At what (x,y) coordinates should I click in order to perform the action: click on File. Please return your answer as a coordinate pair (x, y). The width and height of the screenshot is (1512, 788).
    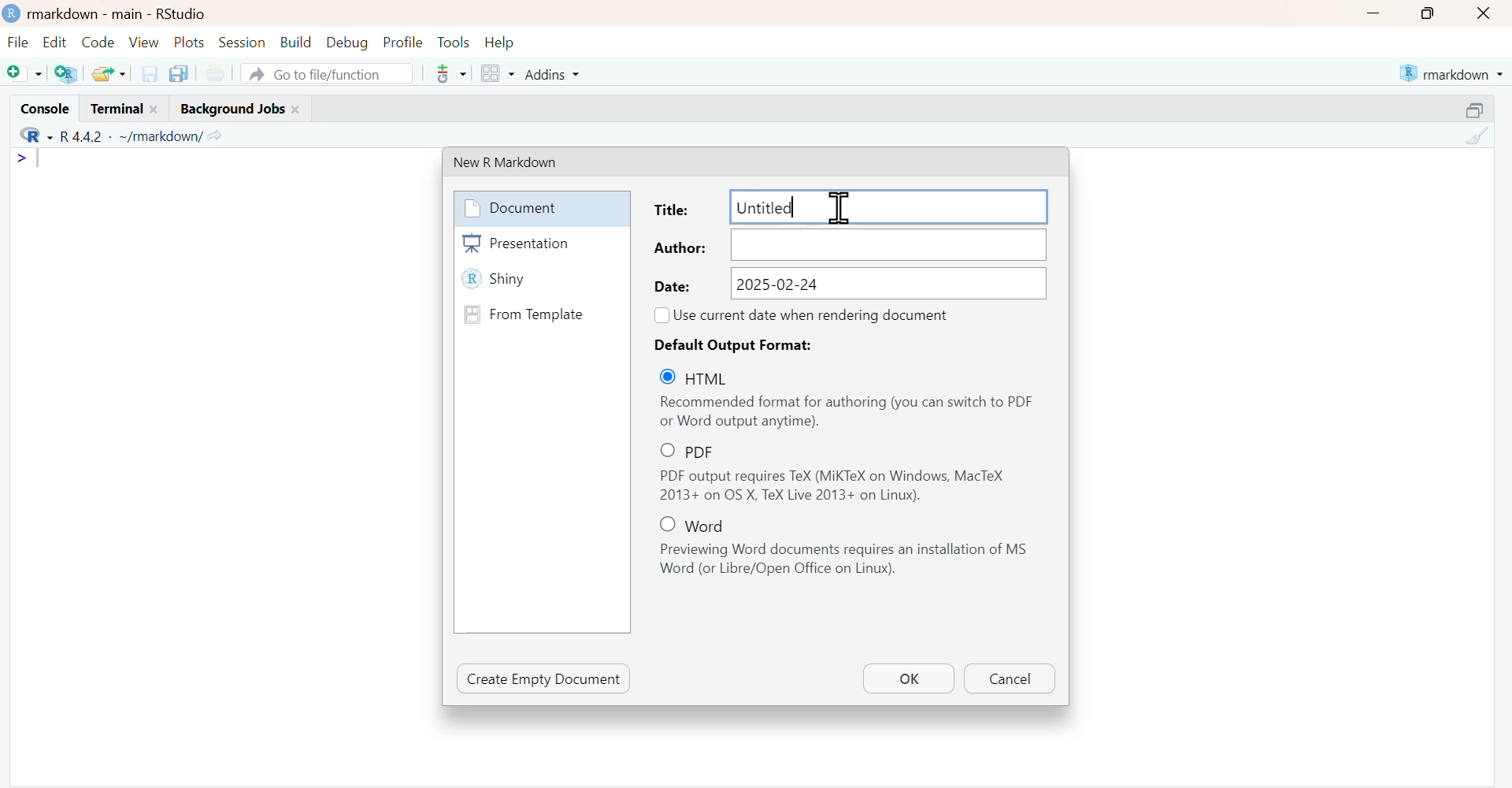
    Looking at the image, I should click on (19, 43).